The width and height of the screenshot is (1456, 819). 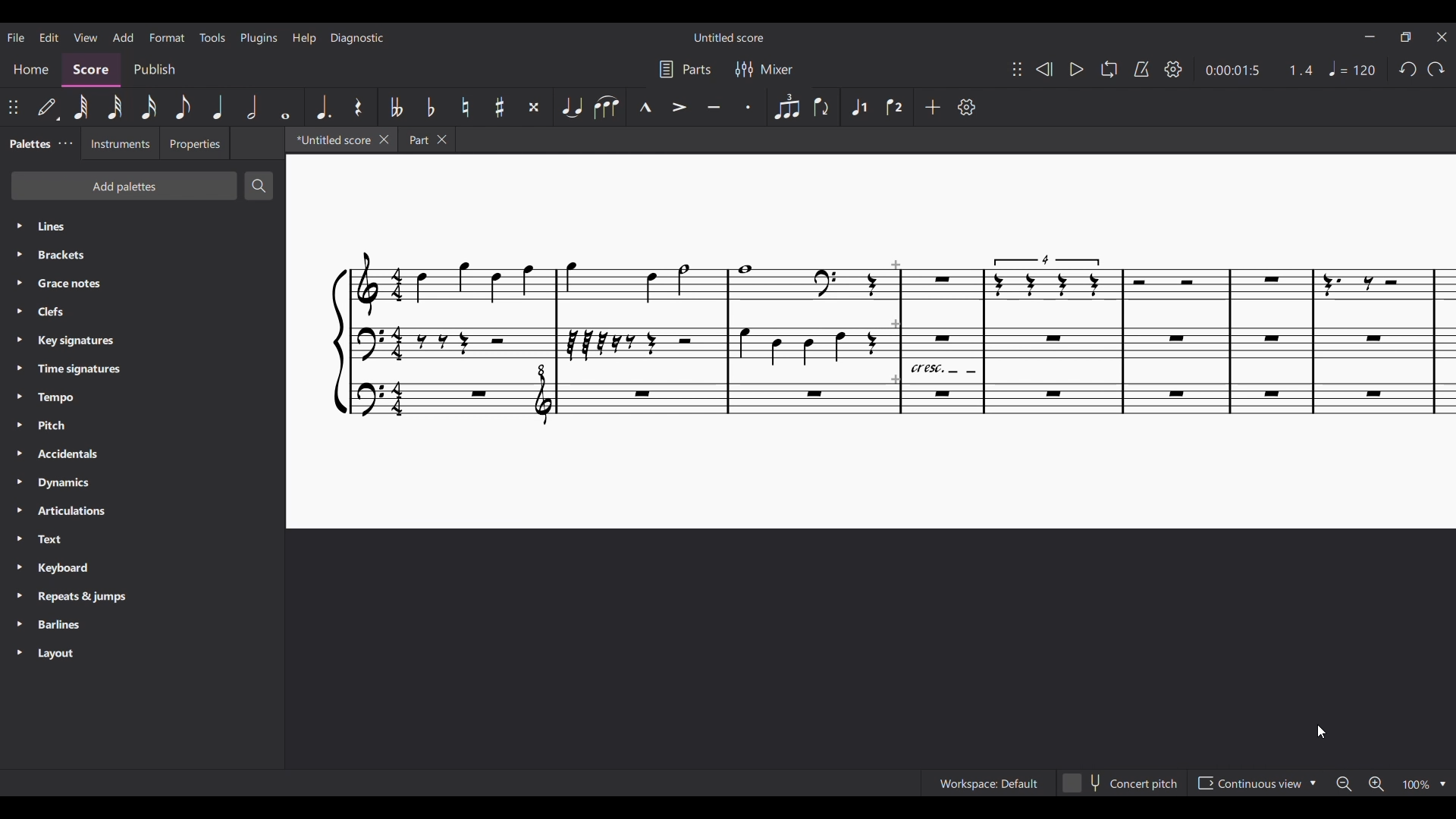 What do you see at coordinates (1044, 70) in the screenshot?
I see `Rewind` at bounding box center [1044, 70].